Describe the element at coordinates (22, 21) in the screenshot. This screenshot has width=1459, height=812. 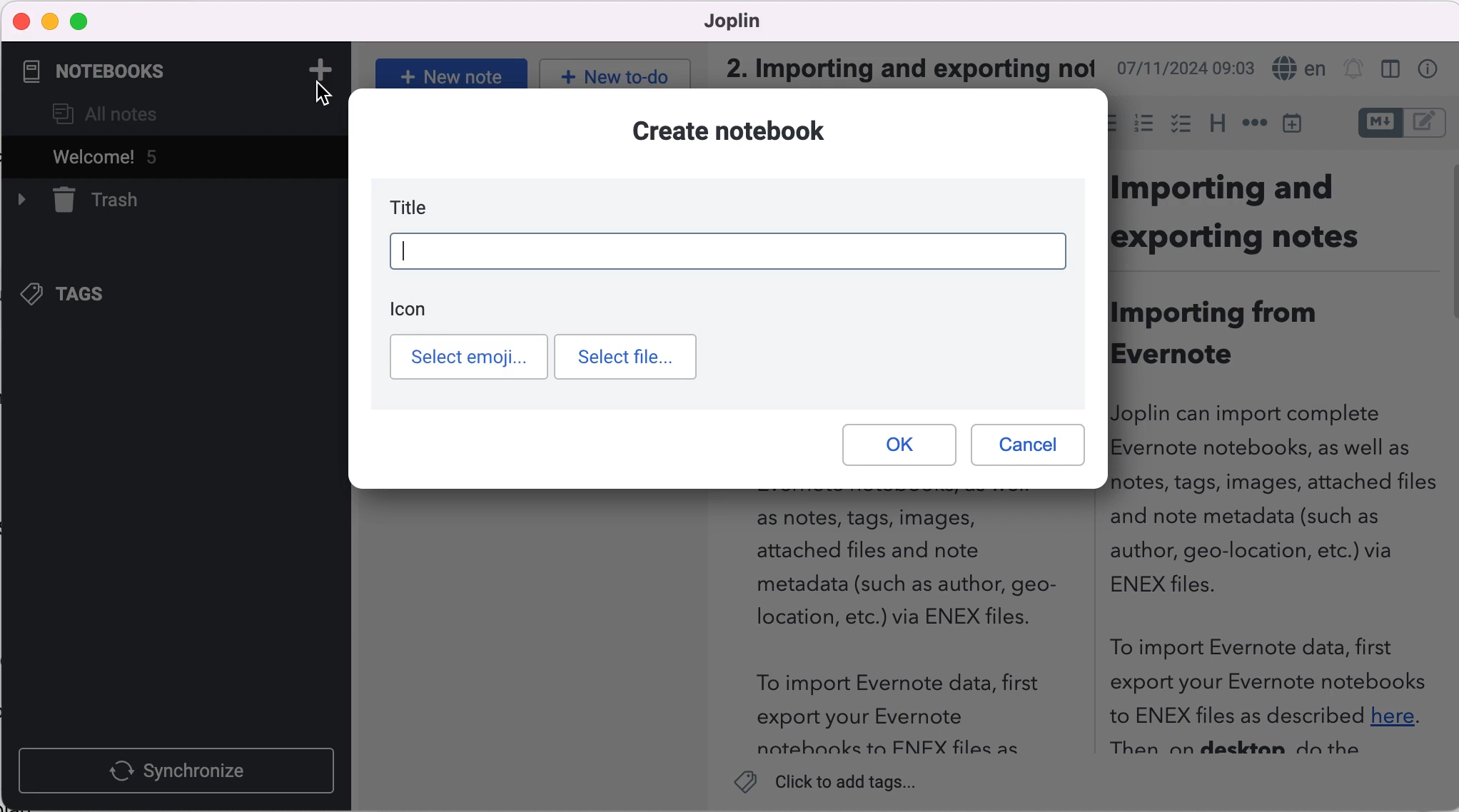
I see `close` at that location.